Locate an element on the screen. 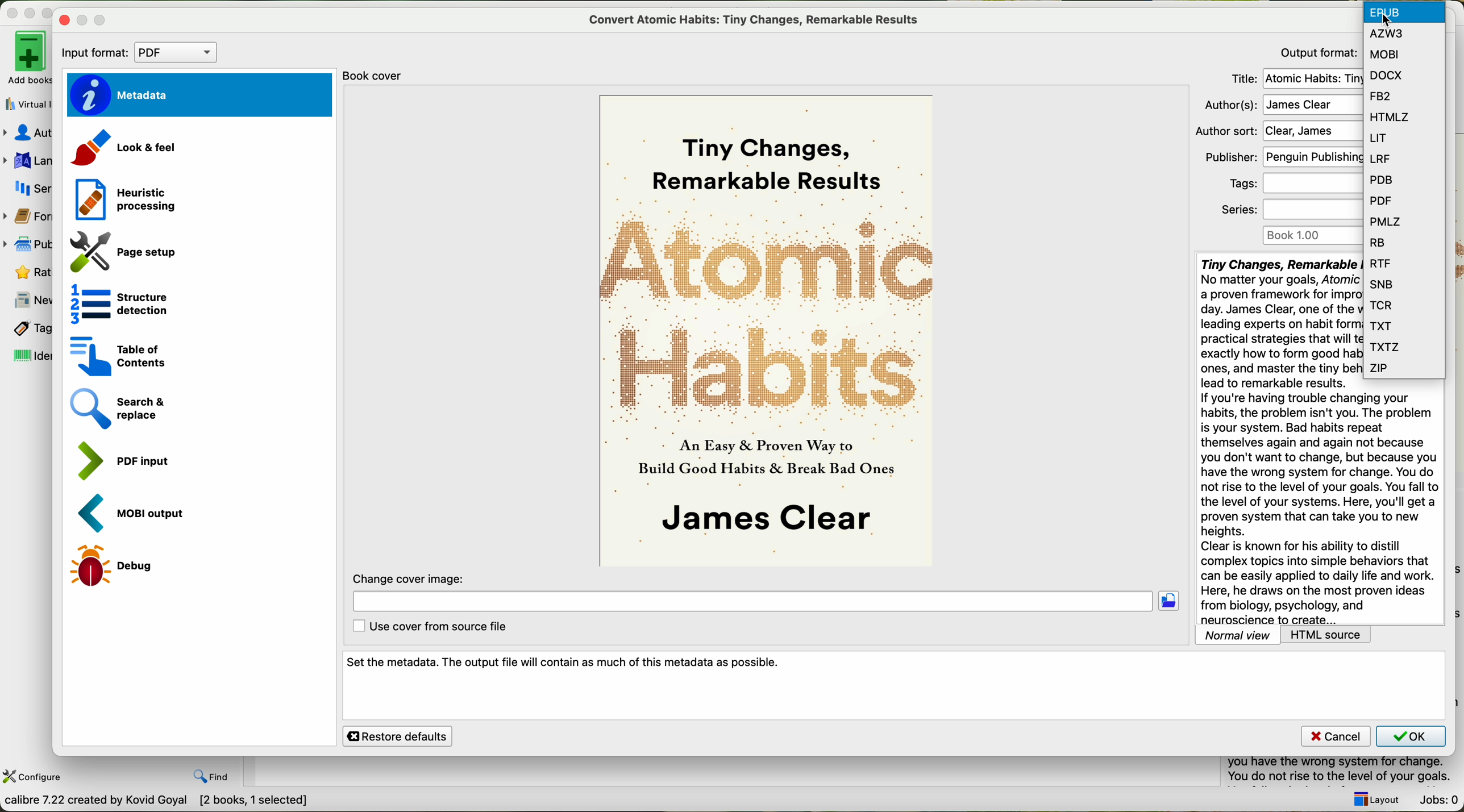  maximize is located at coordinates (102, 22).